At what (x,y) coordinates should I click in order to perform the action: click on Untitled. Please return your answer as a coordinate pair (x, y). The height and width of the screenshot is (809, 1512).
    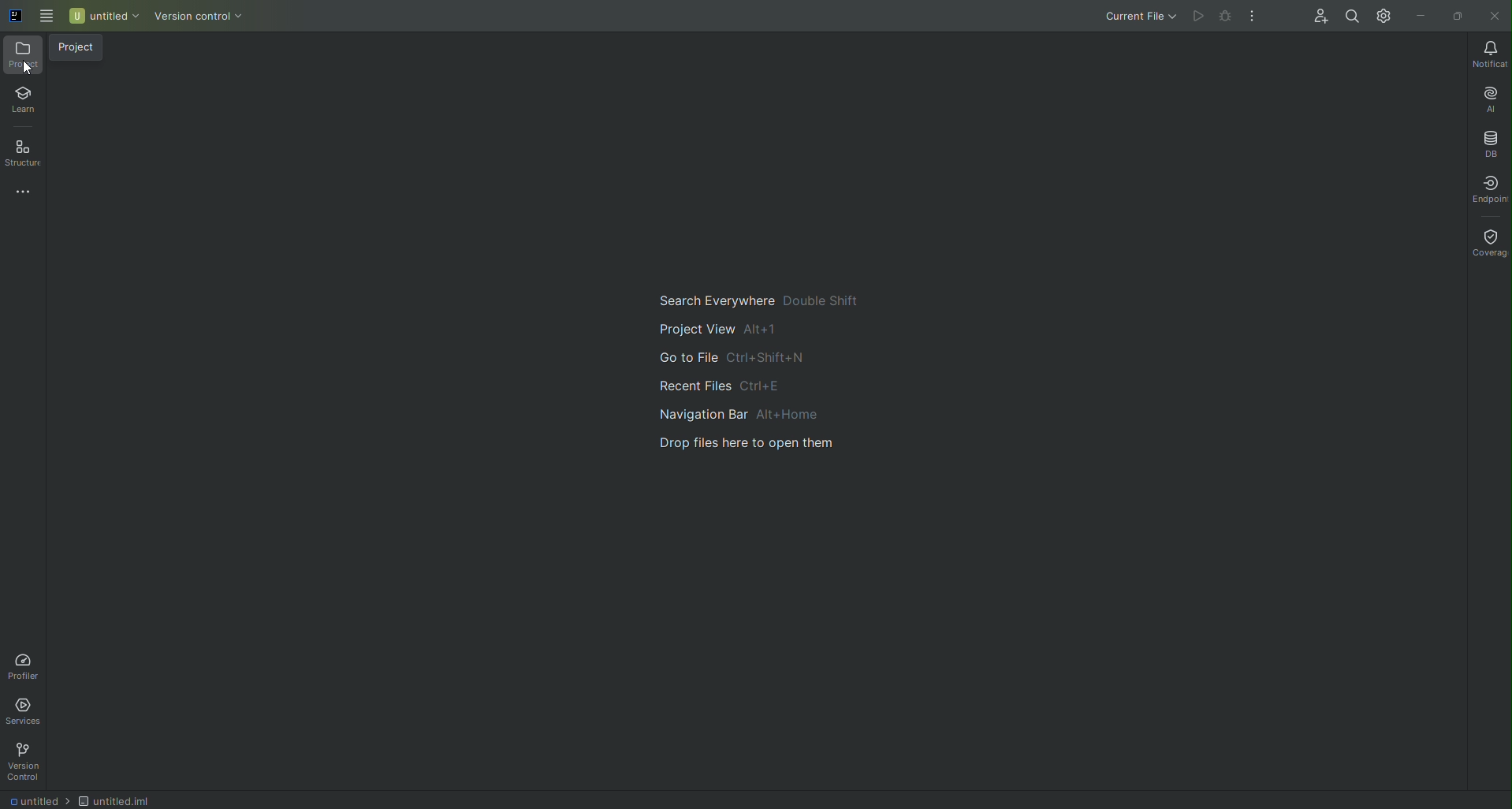
    Looking at the image, I should click on (117, 800).